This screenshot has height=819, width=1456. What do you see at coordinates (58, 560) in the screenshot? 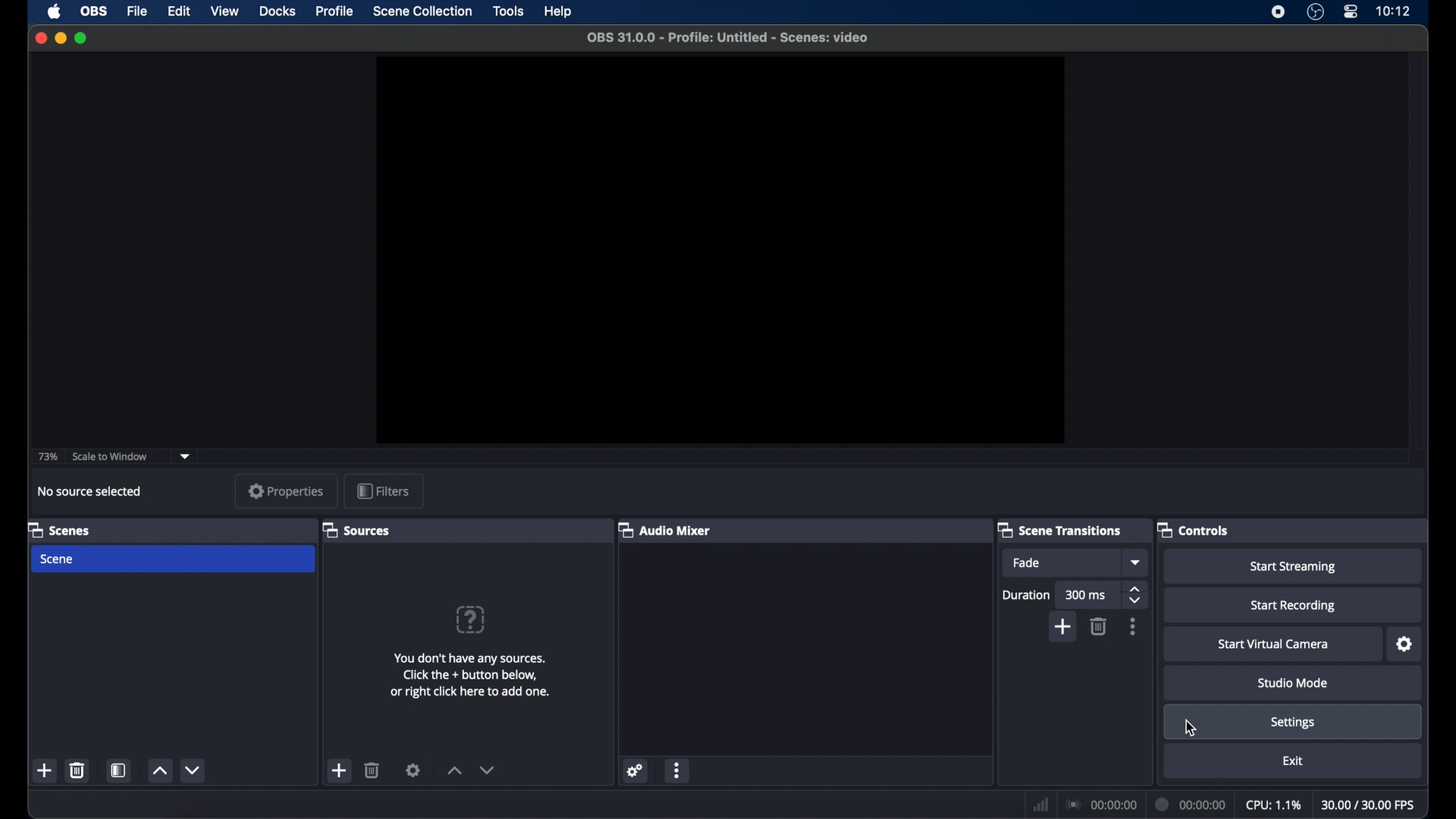
I see `scene` at bounding box center [58, 560].